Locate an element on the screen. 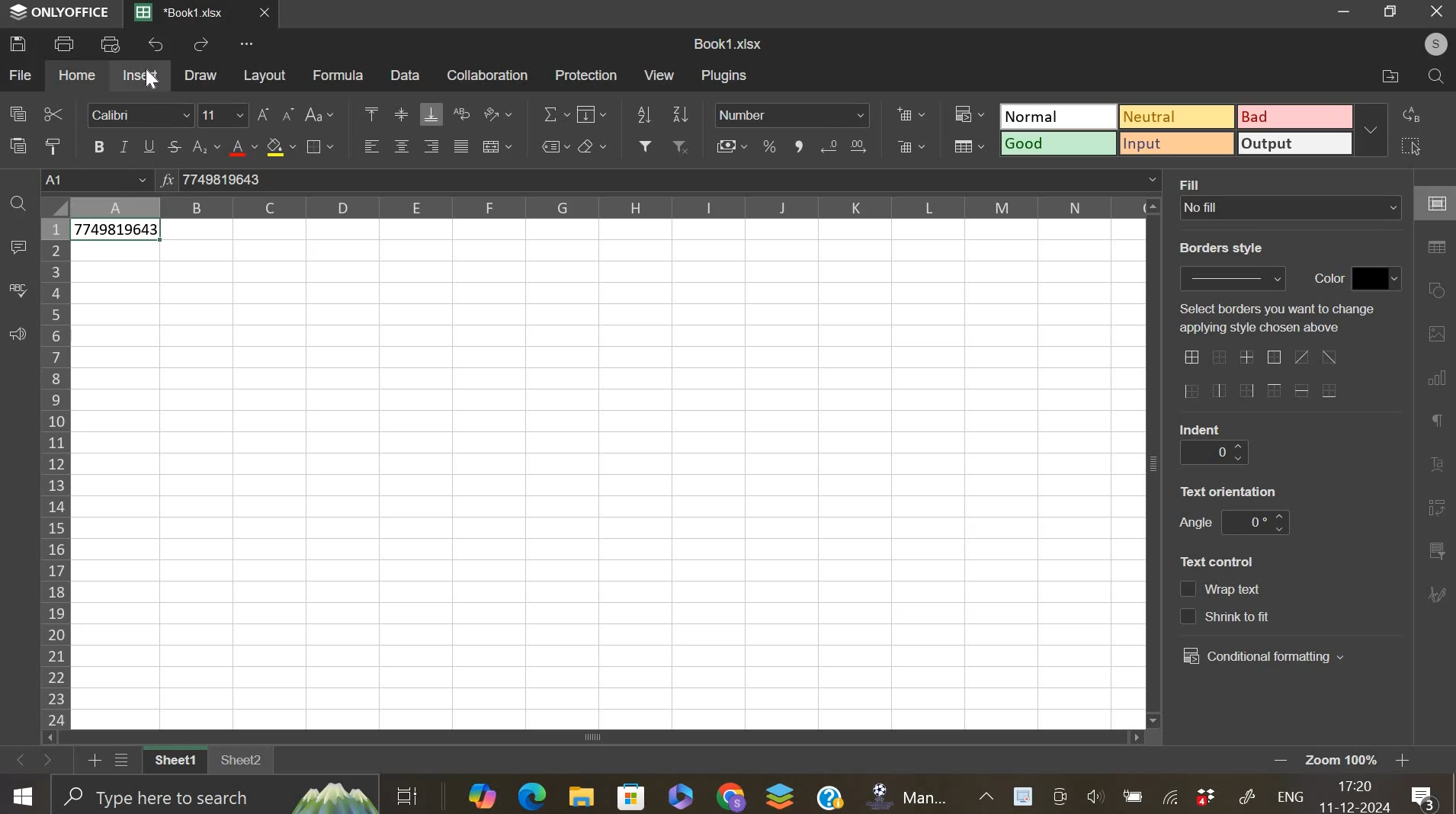 Image resolution: width=1456 pixels, height=814 pixels. percentage is located at coordinates (769, 145).